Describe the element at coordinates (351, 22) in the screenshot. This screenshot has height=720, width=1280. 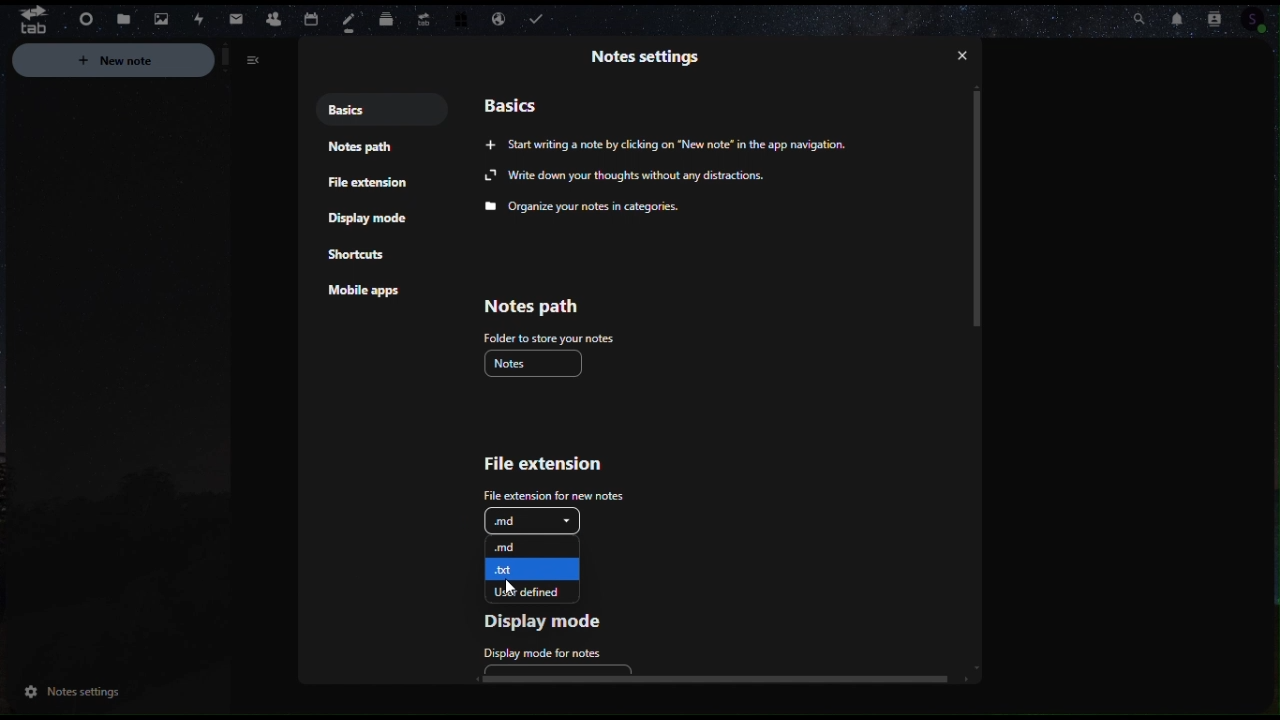
I see `notes` at that location.